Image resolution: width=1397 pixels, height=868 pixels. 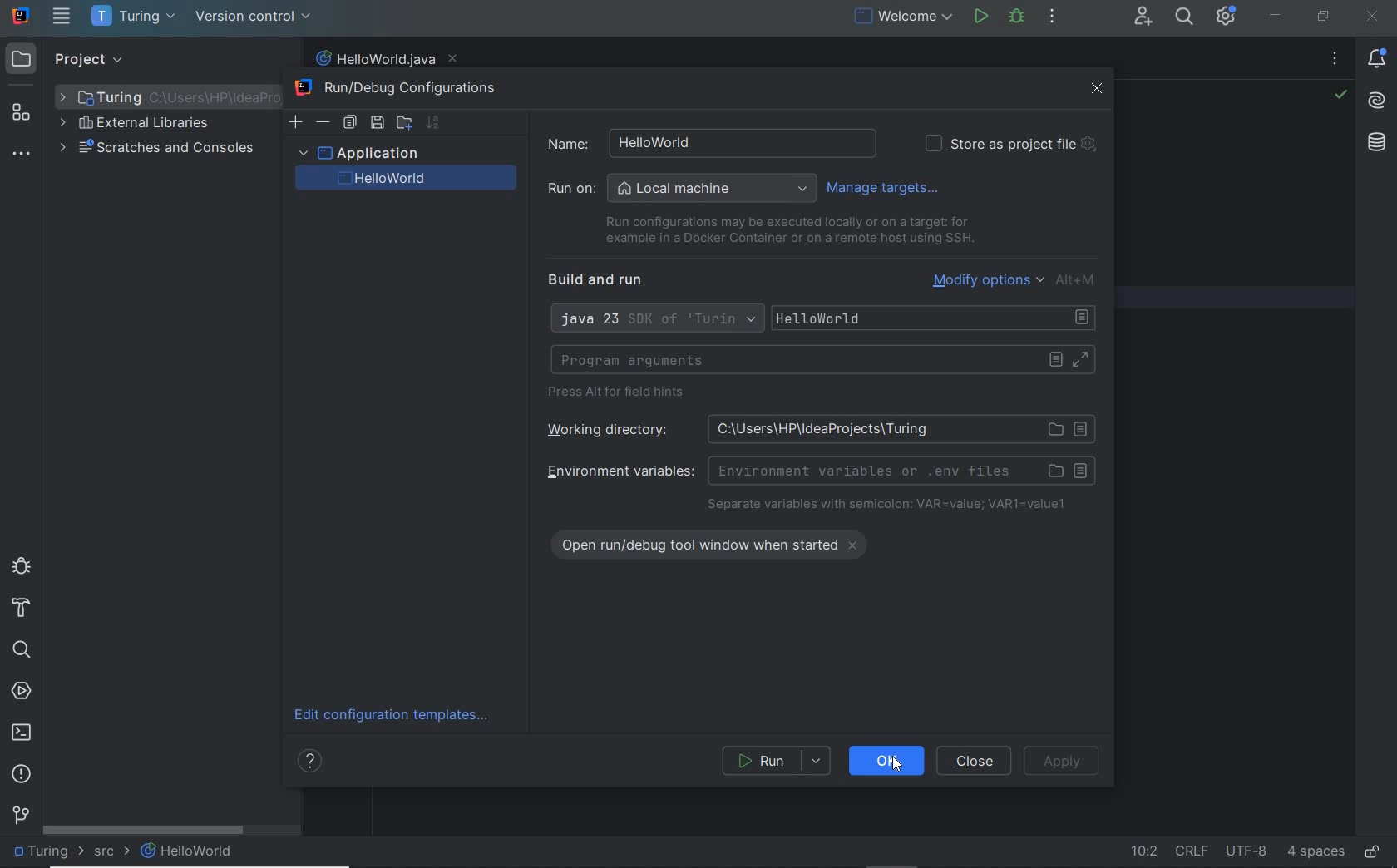 I want to click on HelloWorld, so click(x=937, y=318).